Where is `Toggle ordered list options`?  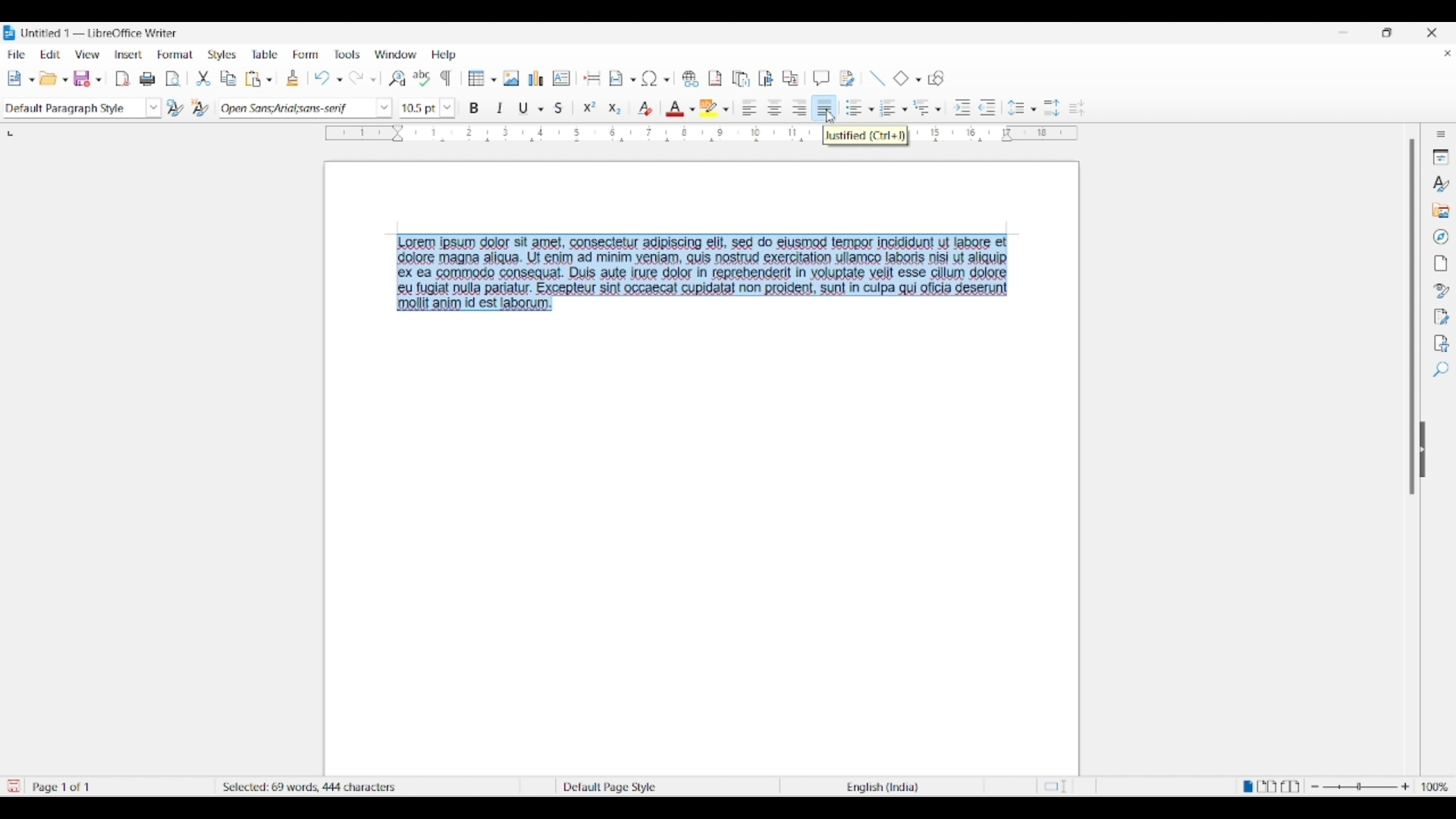
Toggle ordered list options is located at coordinates (905, 109).